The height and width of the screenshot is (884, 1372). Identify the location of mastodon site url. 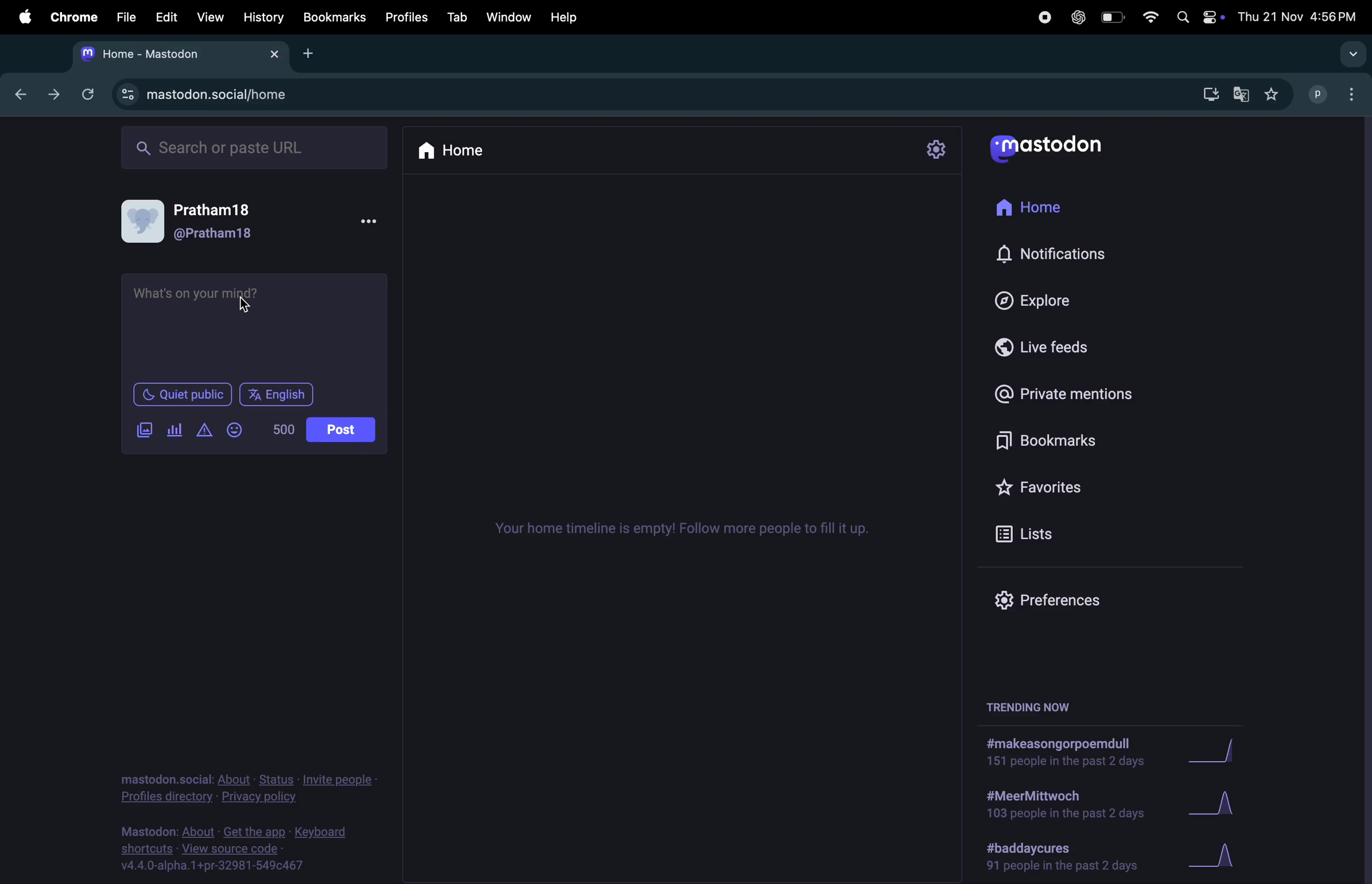
(238, 96).